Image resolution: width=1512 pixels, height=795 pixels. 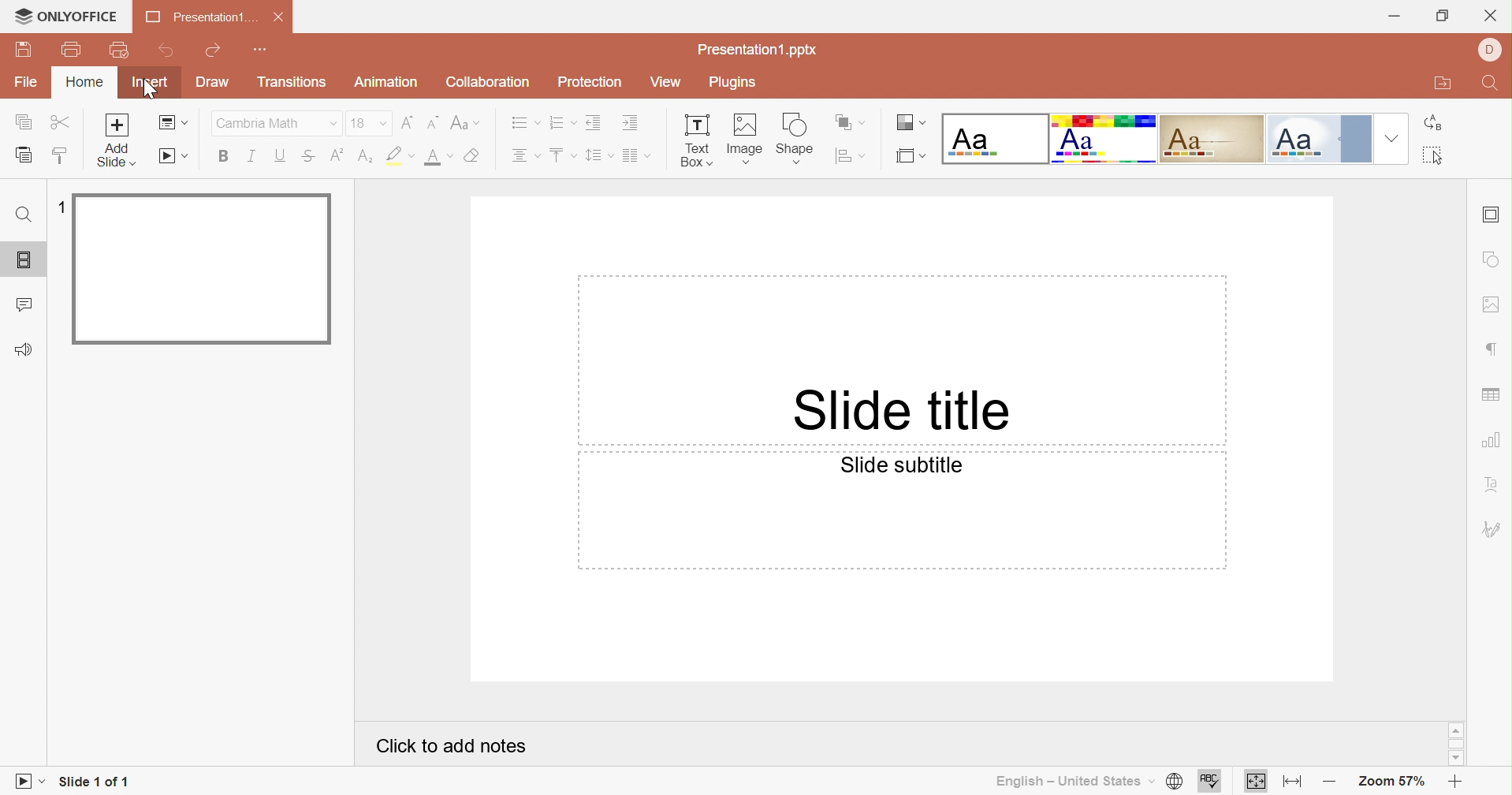 I want to click on Superscript, so click(x=335, y=157).